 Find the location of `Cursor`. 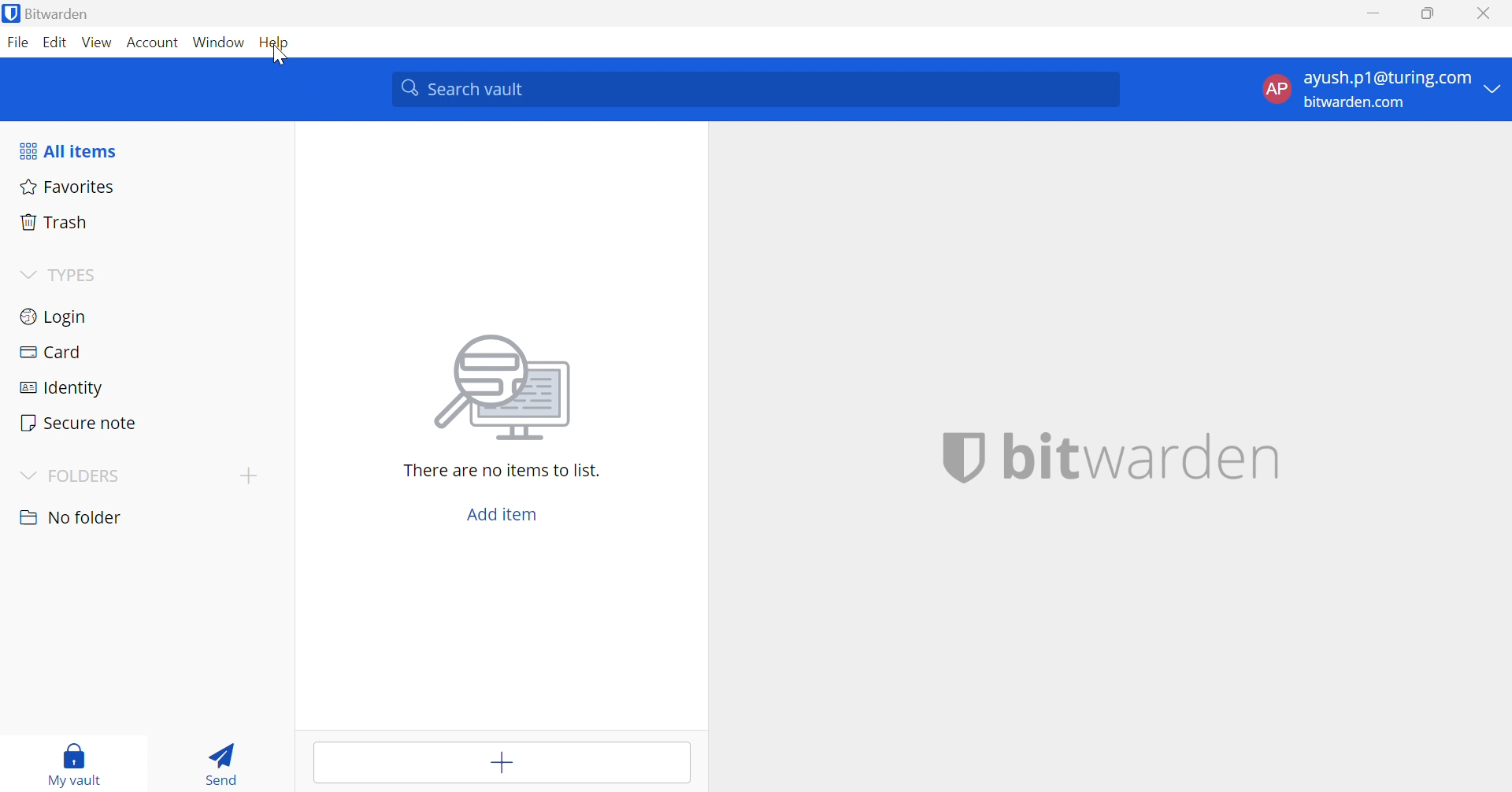

Cursor is located at coordinates (280, 56).